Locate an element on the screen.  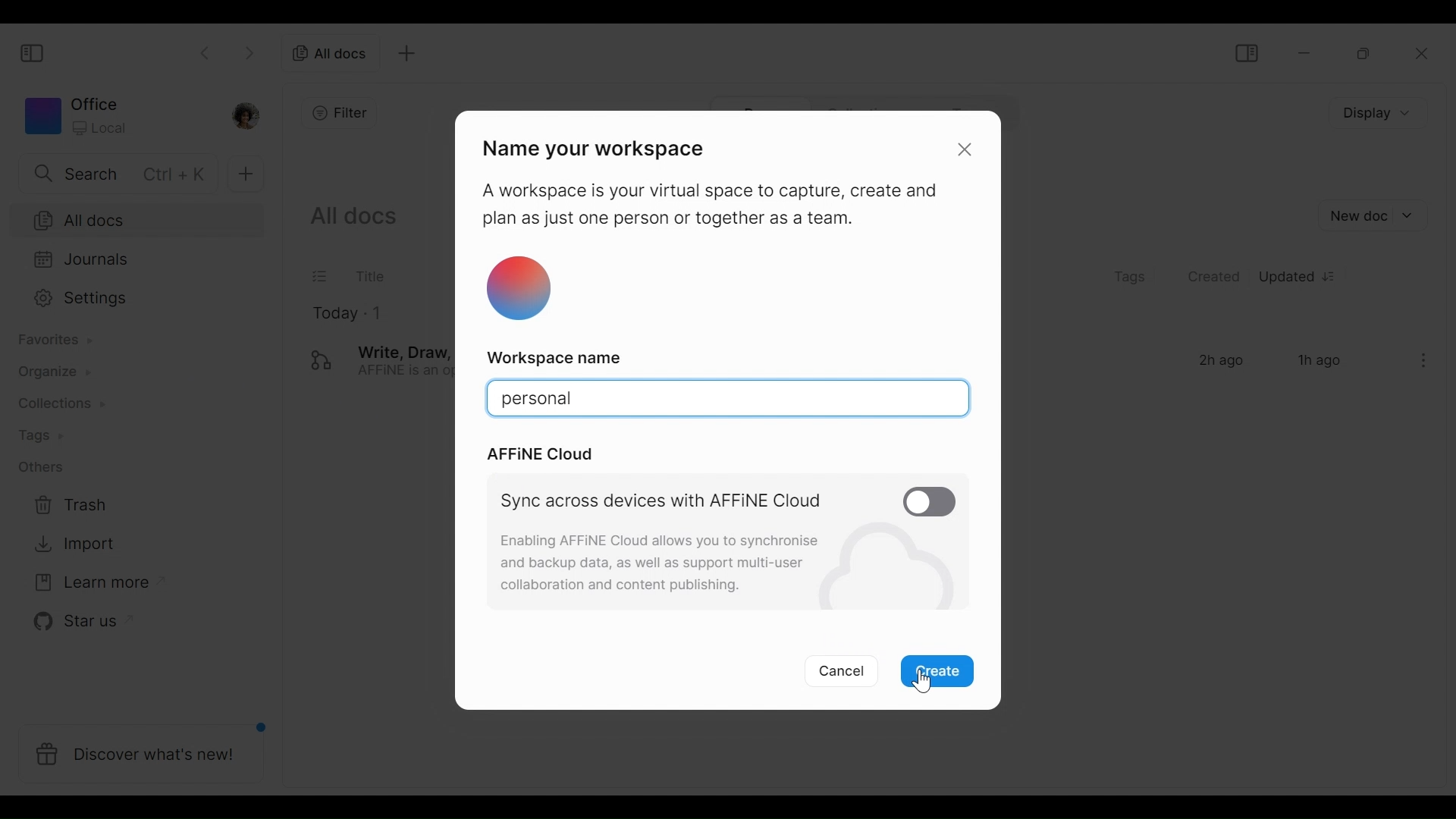
Tags is located at coordinates (33, 435).